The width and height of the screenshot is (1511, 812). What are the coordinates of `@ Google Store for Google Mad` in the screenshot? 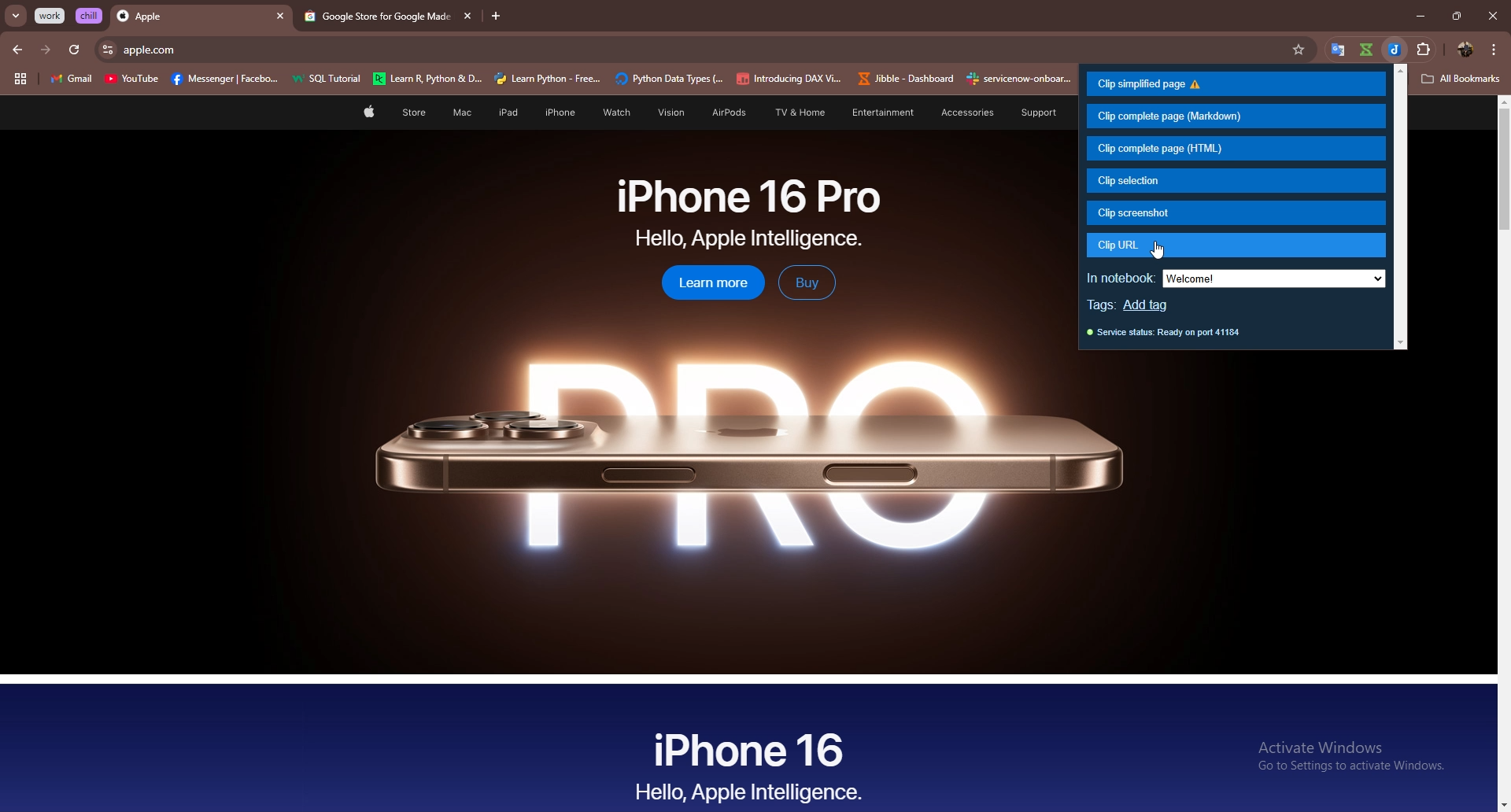 It's located at (374, 17).